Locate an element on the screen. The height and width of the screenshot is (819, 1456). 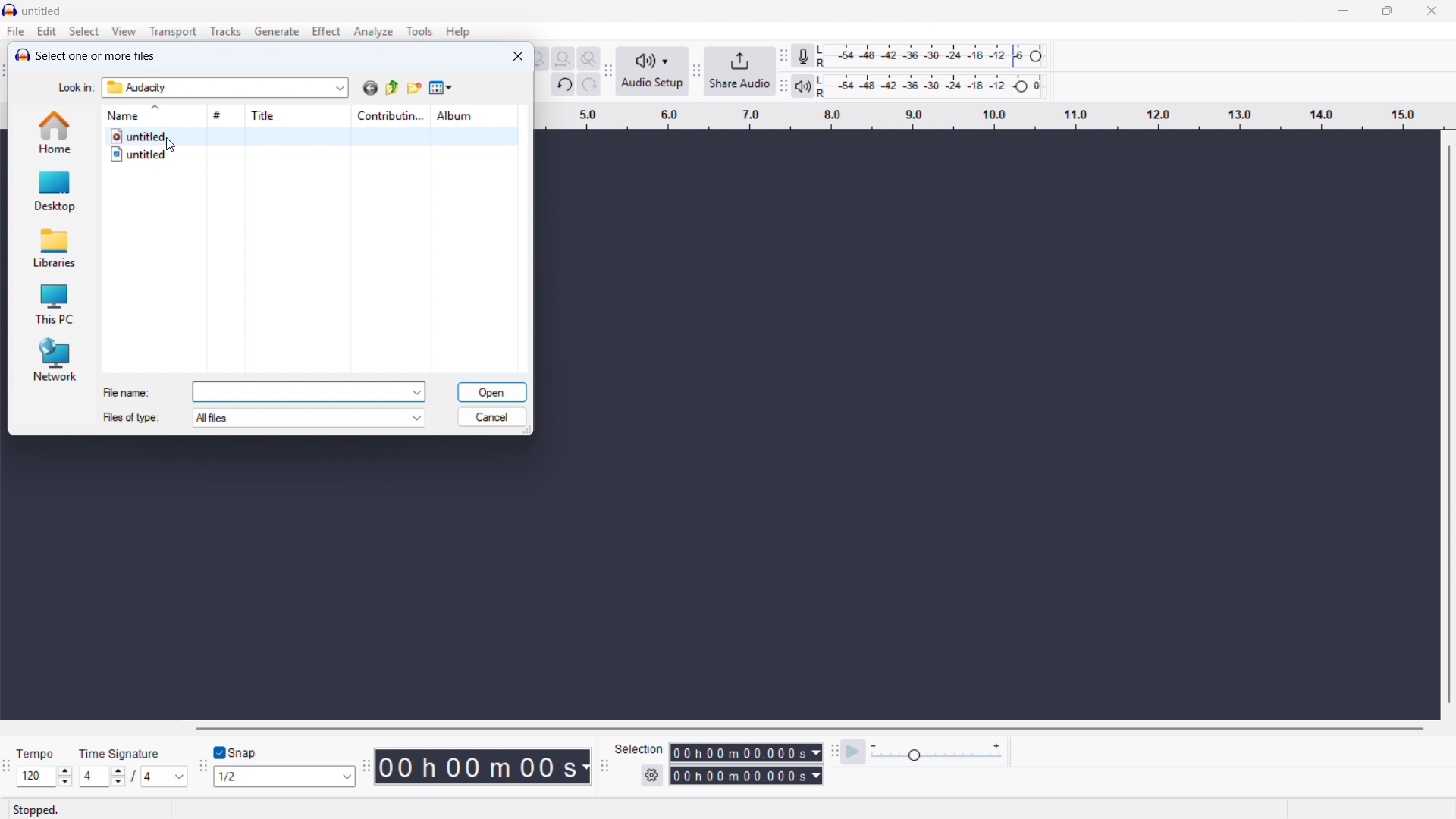
cursor is located at coordinates (171, 146).